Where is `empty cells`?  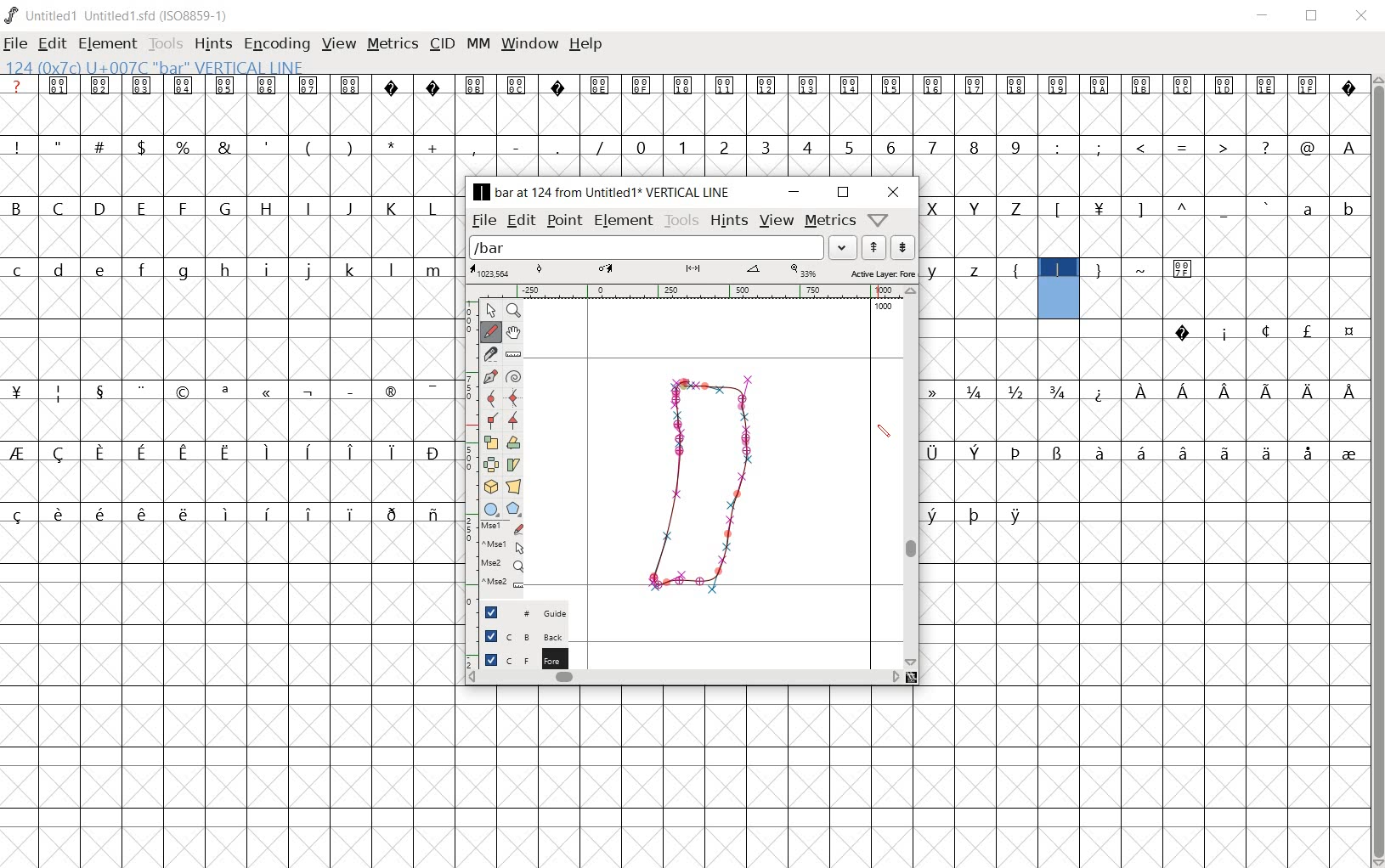 empty cells is located at coordinates (232, 419).